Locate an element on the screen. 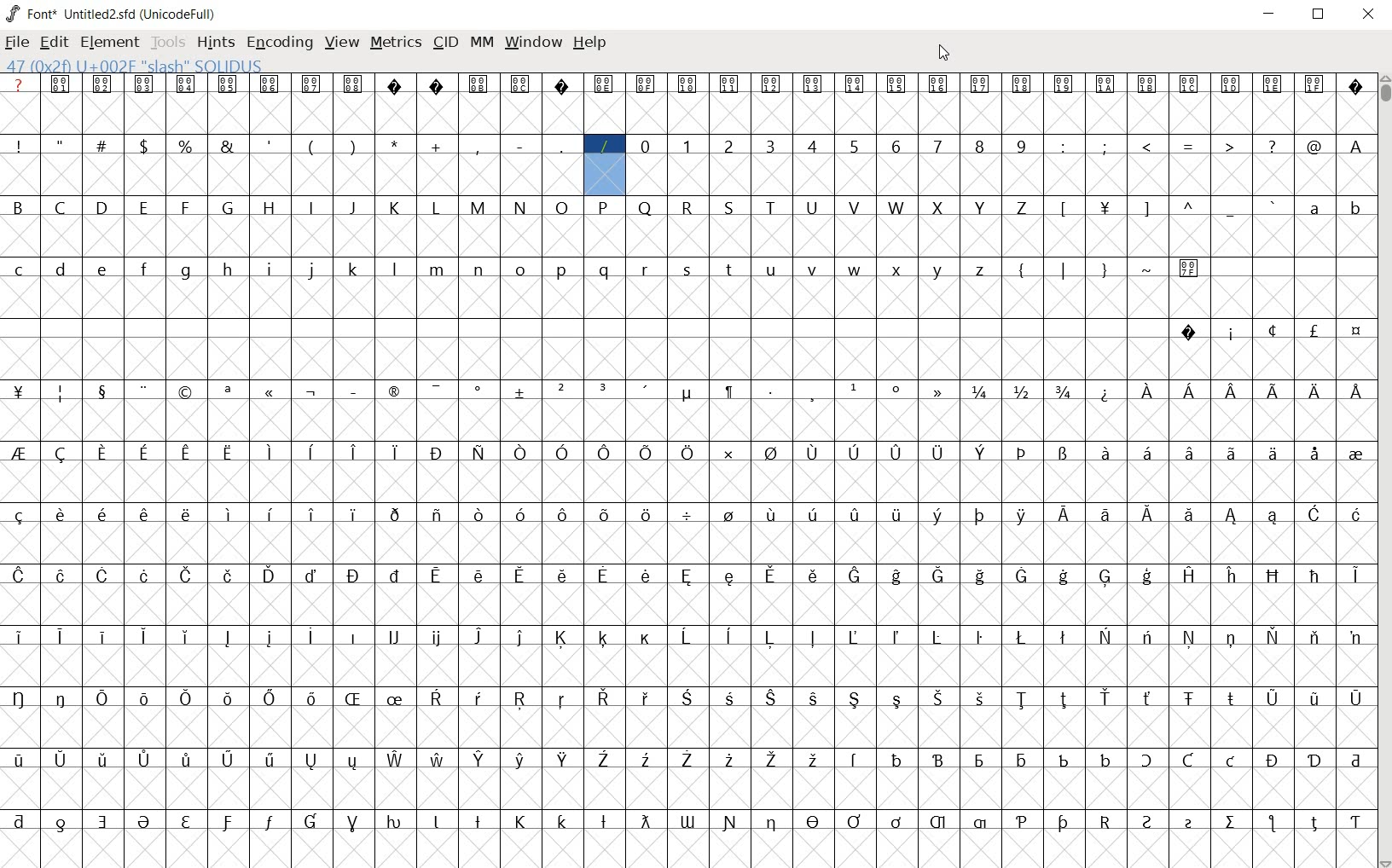 This screenshot has width=1392, height=868. glyph is located at coordinates (145, 699).